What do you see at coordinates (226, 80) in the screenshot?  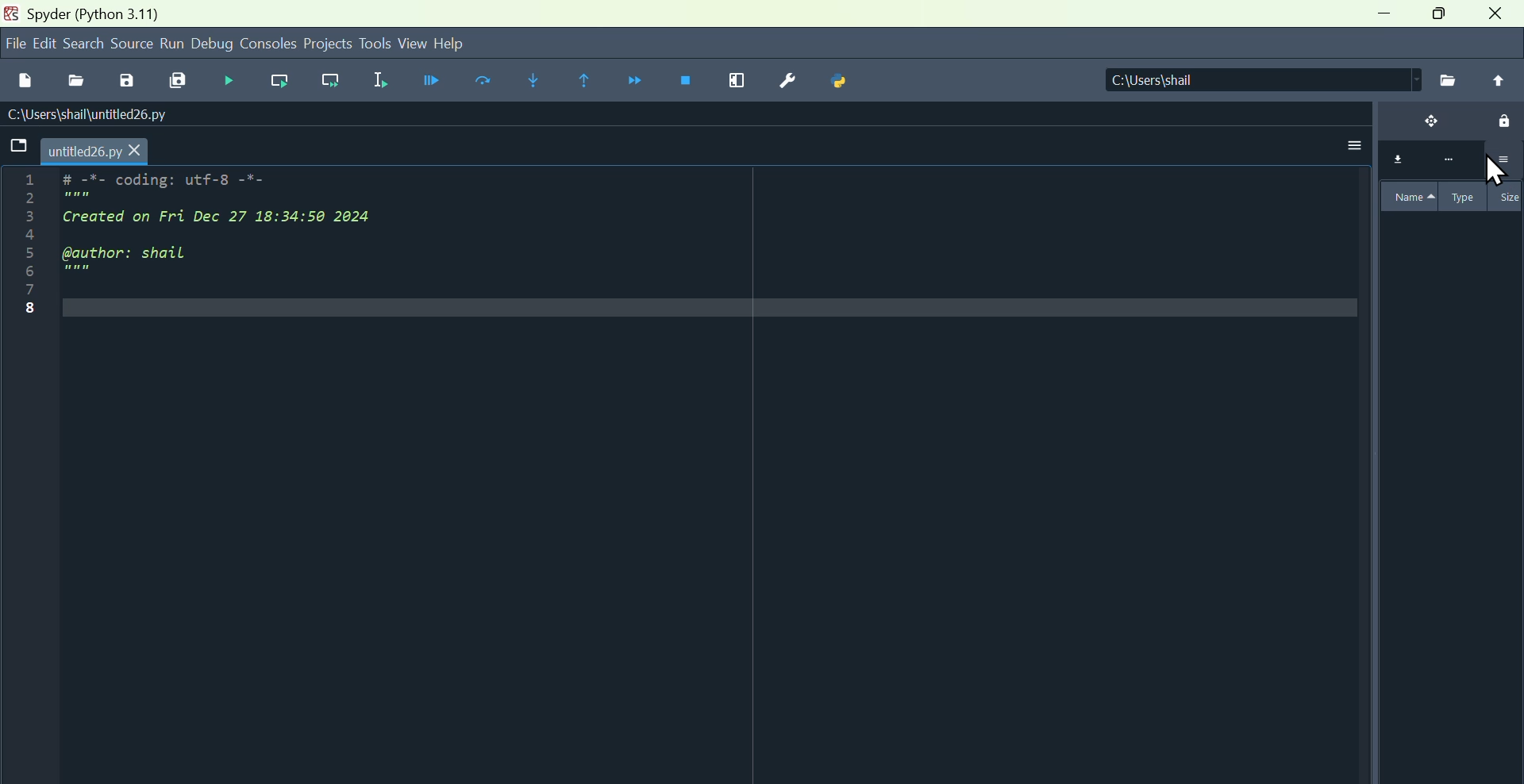 I see `Debug` at bounding box center [226, 80].